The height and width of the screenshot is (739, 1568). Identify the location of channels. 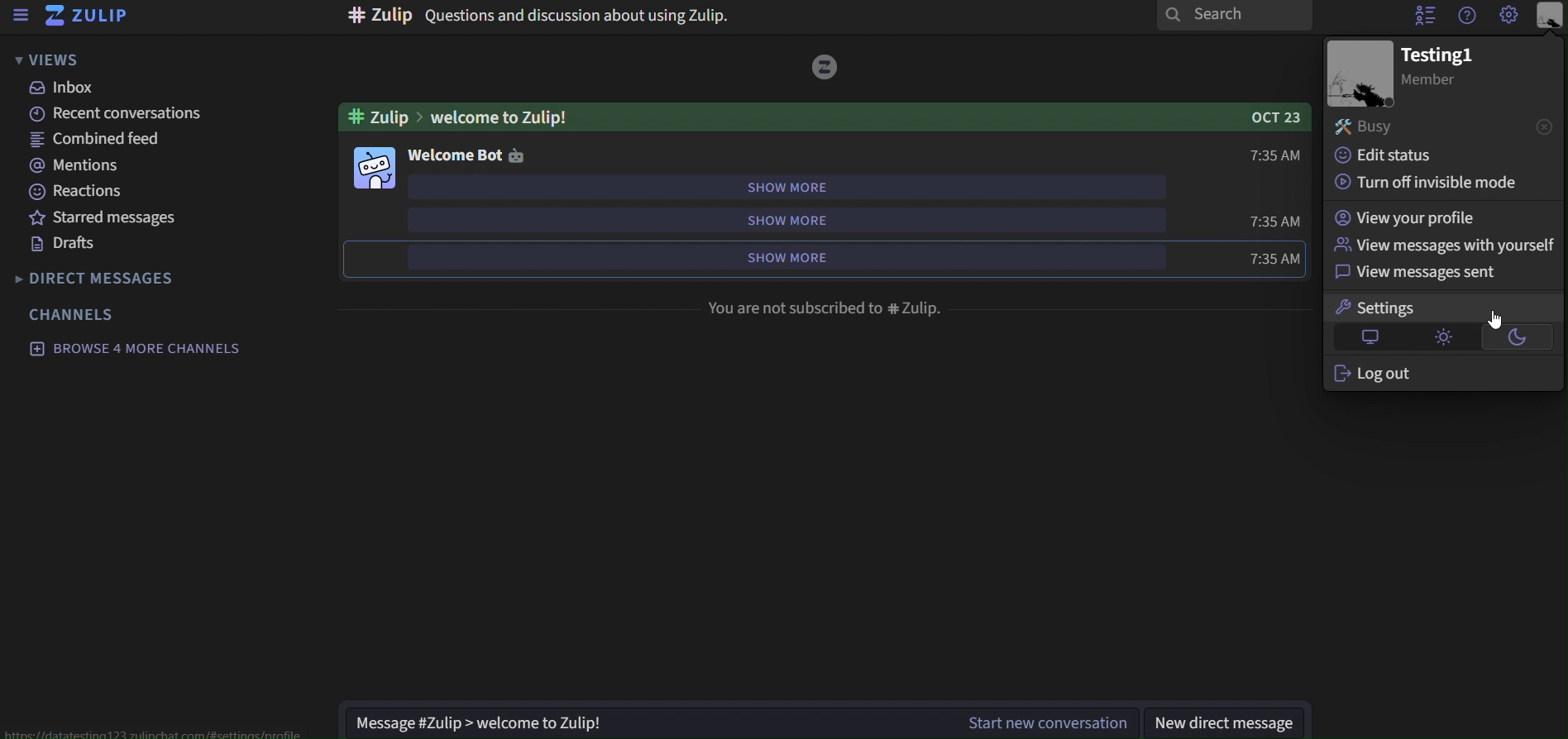
(83, 313).